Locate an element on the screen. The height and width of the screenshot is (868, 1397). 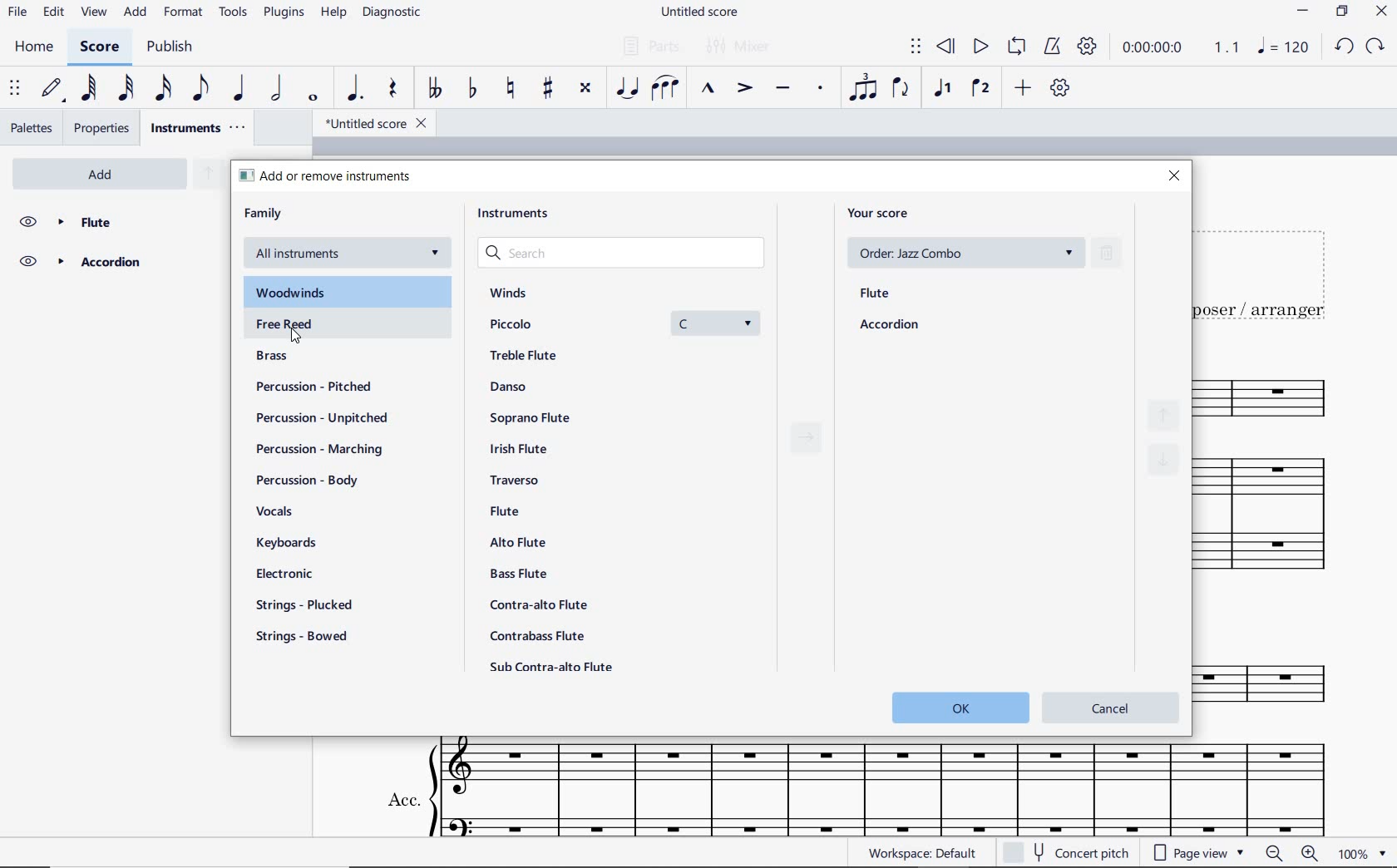
NOTE is located at coordinates (1284, 49).